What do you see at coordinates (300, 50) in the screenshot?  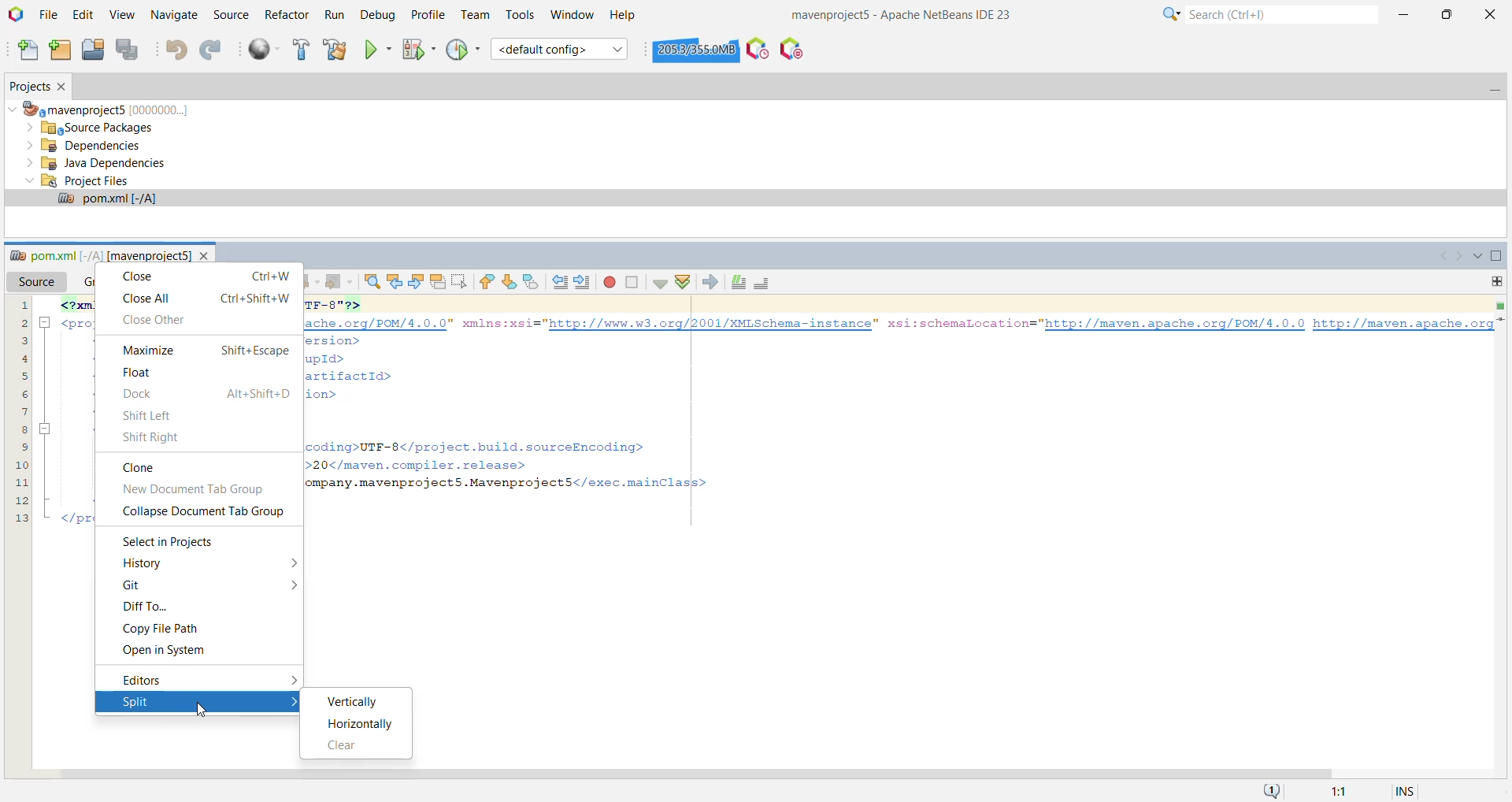 I see `Build Project` at bounding box center [300, 50].